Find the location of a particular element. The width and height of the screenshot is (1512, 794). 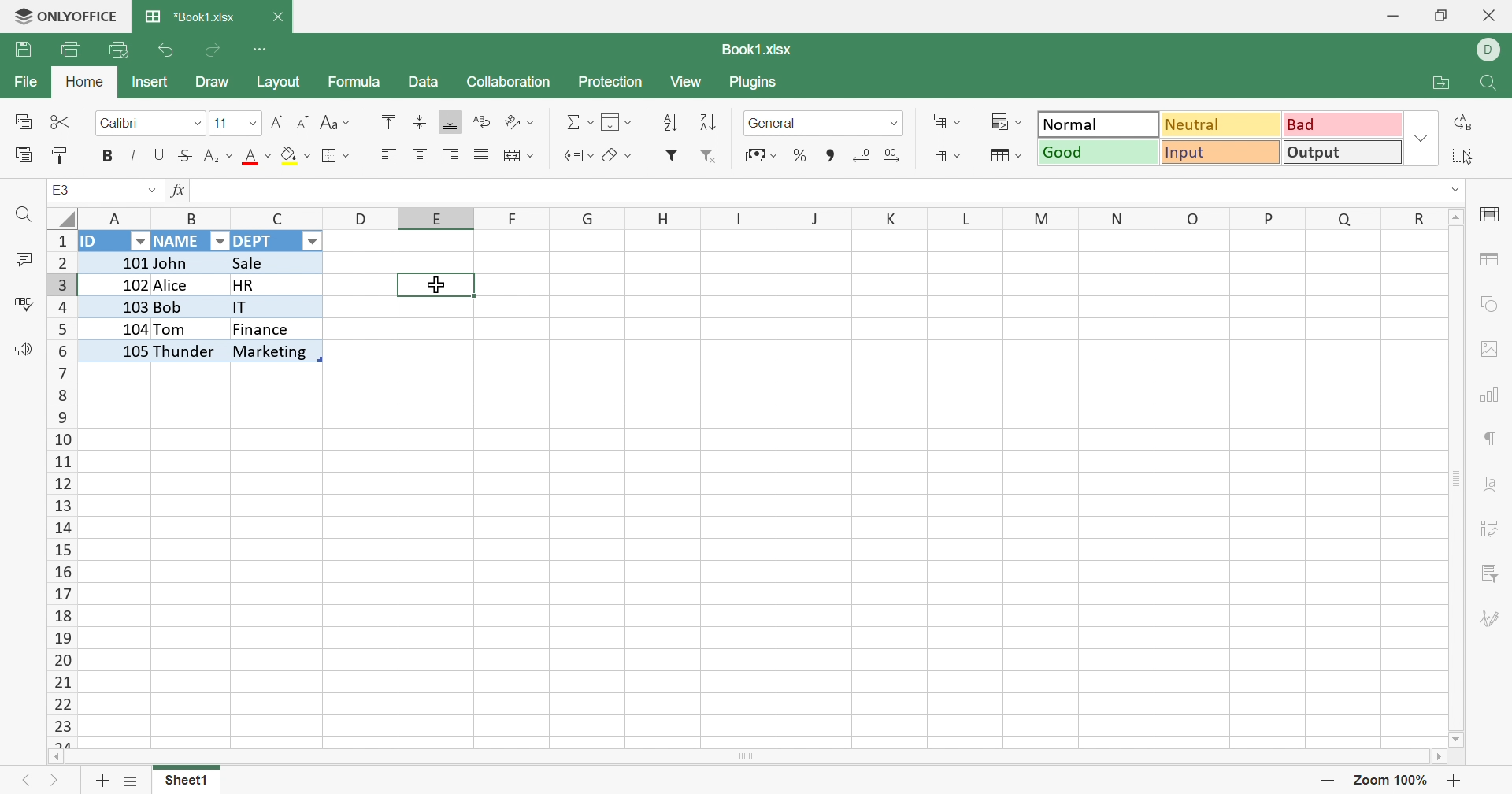

Find is located at coordinates (22, 217).